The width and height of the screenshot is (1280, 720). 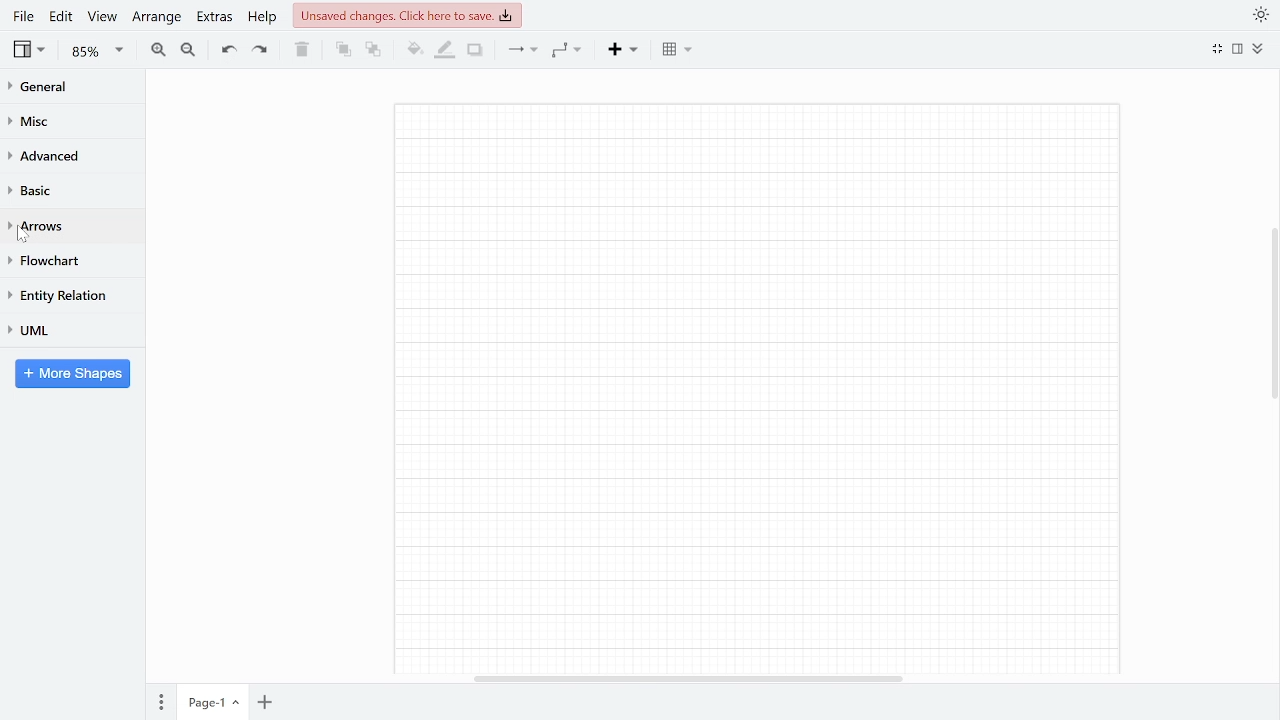 What do you see at coordinates (38, 123) in the screenshot?
I see `Misc` at bounding box center [38, 123].